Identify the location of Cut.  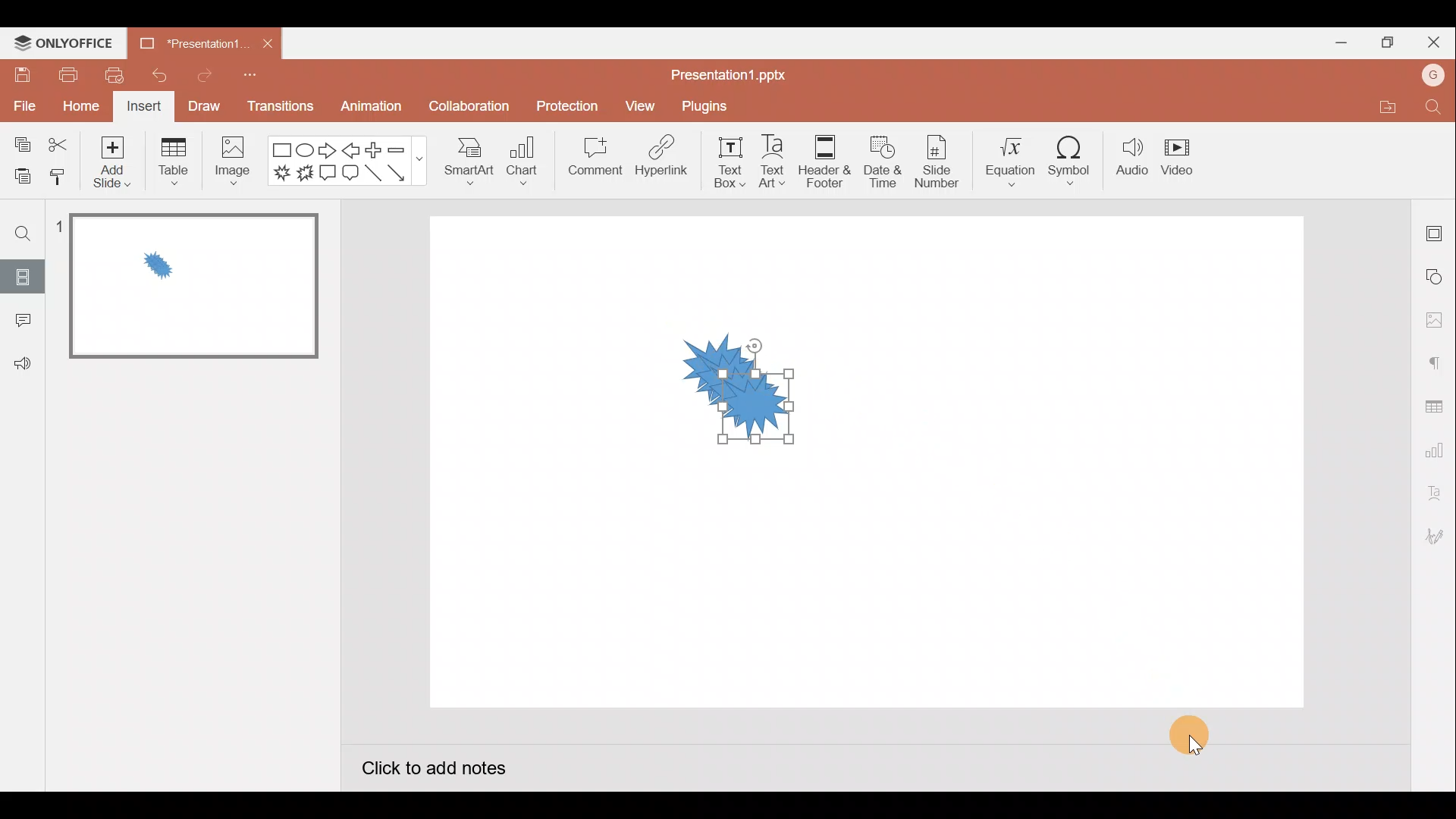
(60, 142).